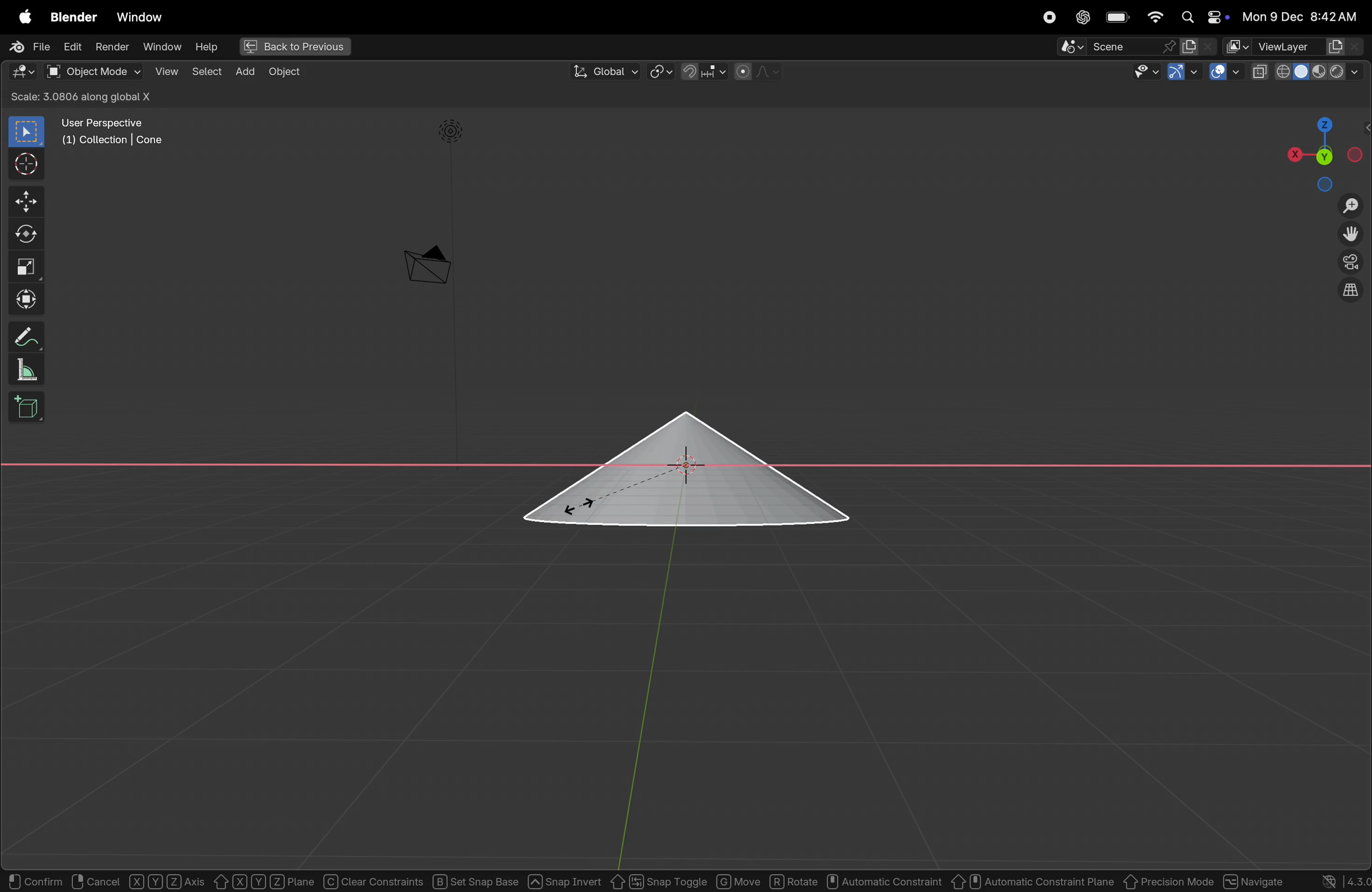  What do you see at coordinates (288, 72) in the screenshot?
I see `Object` at bounding box center [288, 72].